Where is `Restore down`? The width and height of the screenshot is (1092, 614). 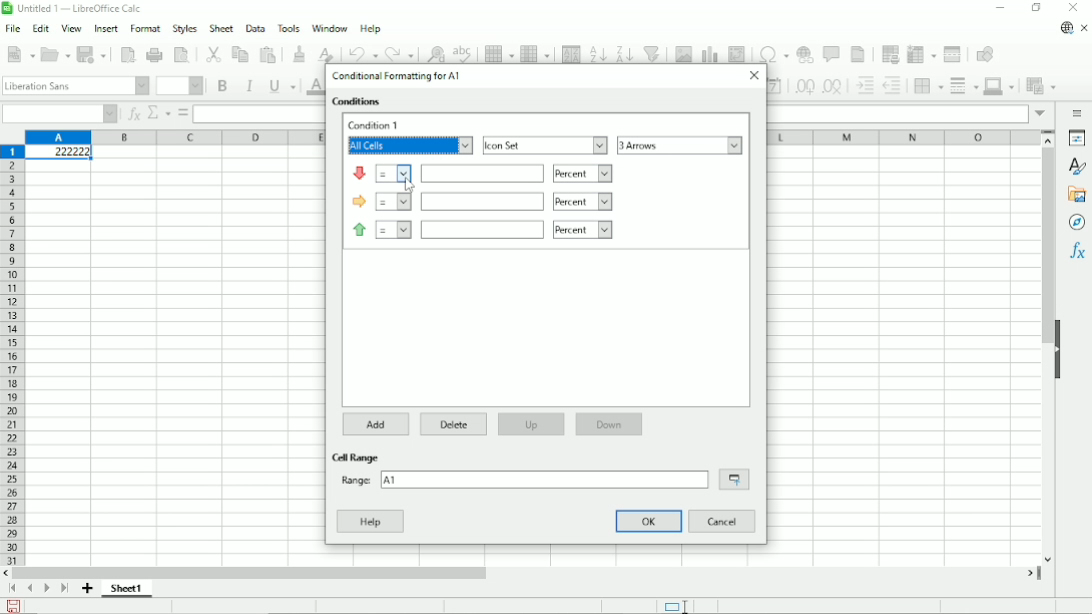
Restore down is located at coordinates (1035, 8).